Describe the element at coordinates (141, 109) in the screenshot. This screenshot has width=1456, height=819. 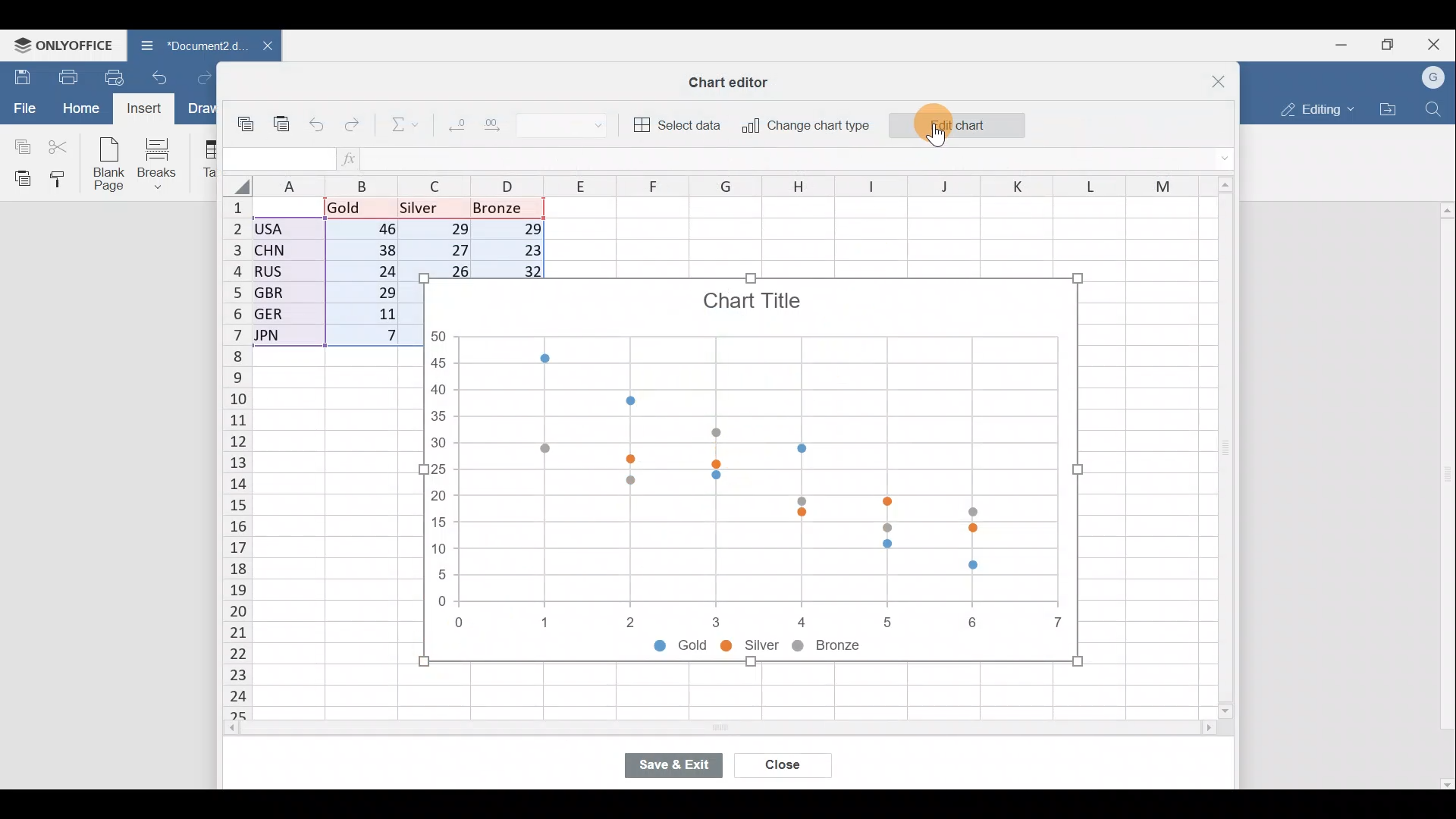
I see `Cursor on Insert` at that location.